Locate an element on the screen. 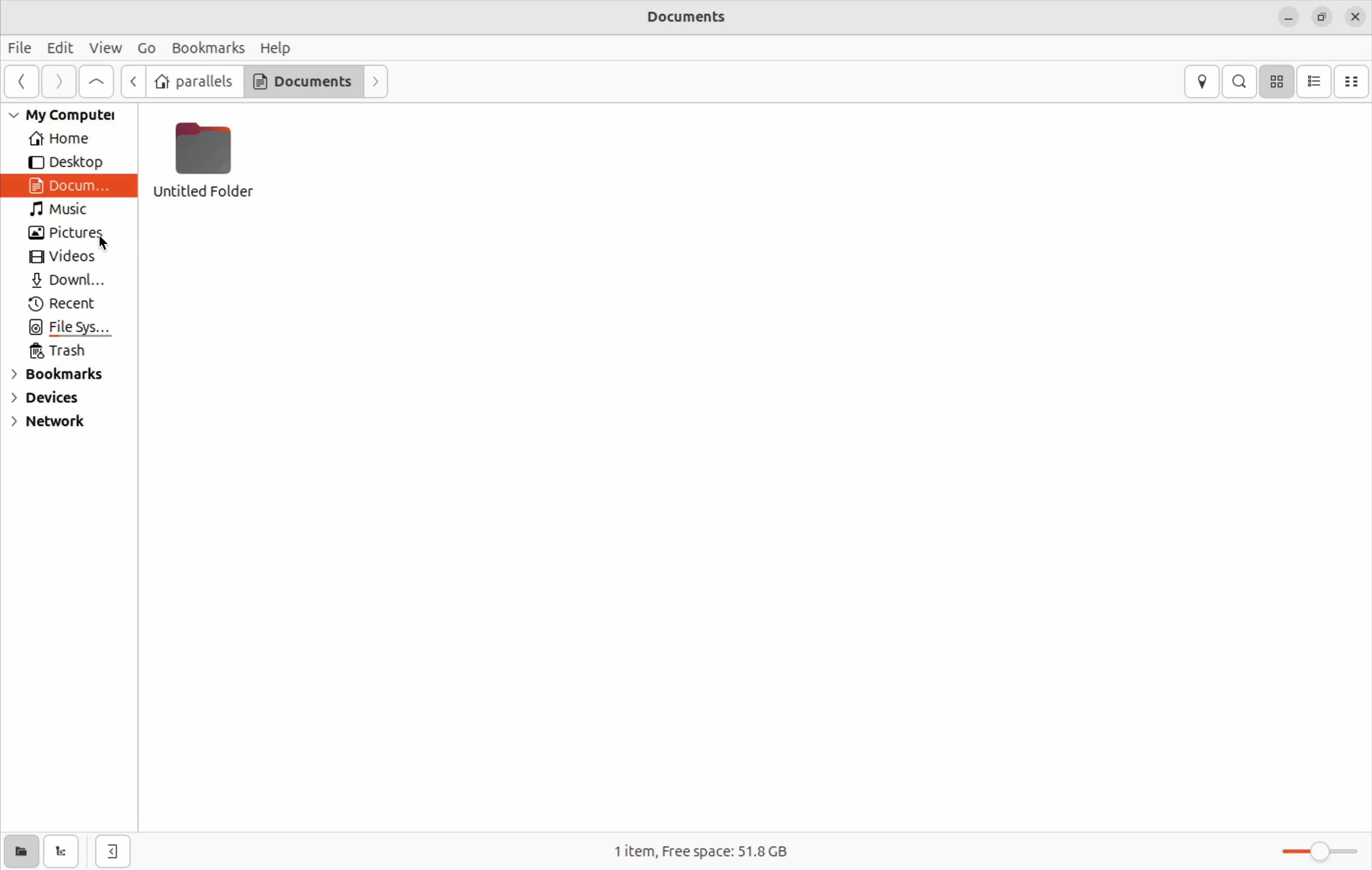 Image resolution: width=1372 pixels, height=870 pixels. close is located at coordinates (1358, 14).